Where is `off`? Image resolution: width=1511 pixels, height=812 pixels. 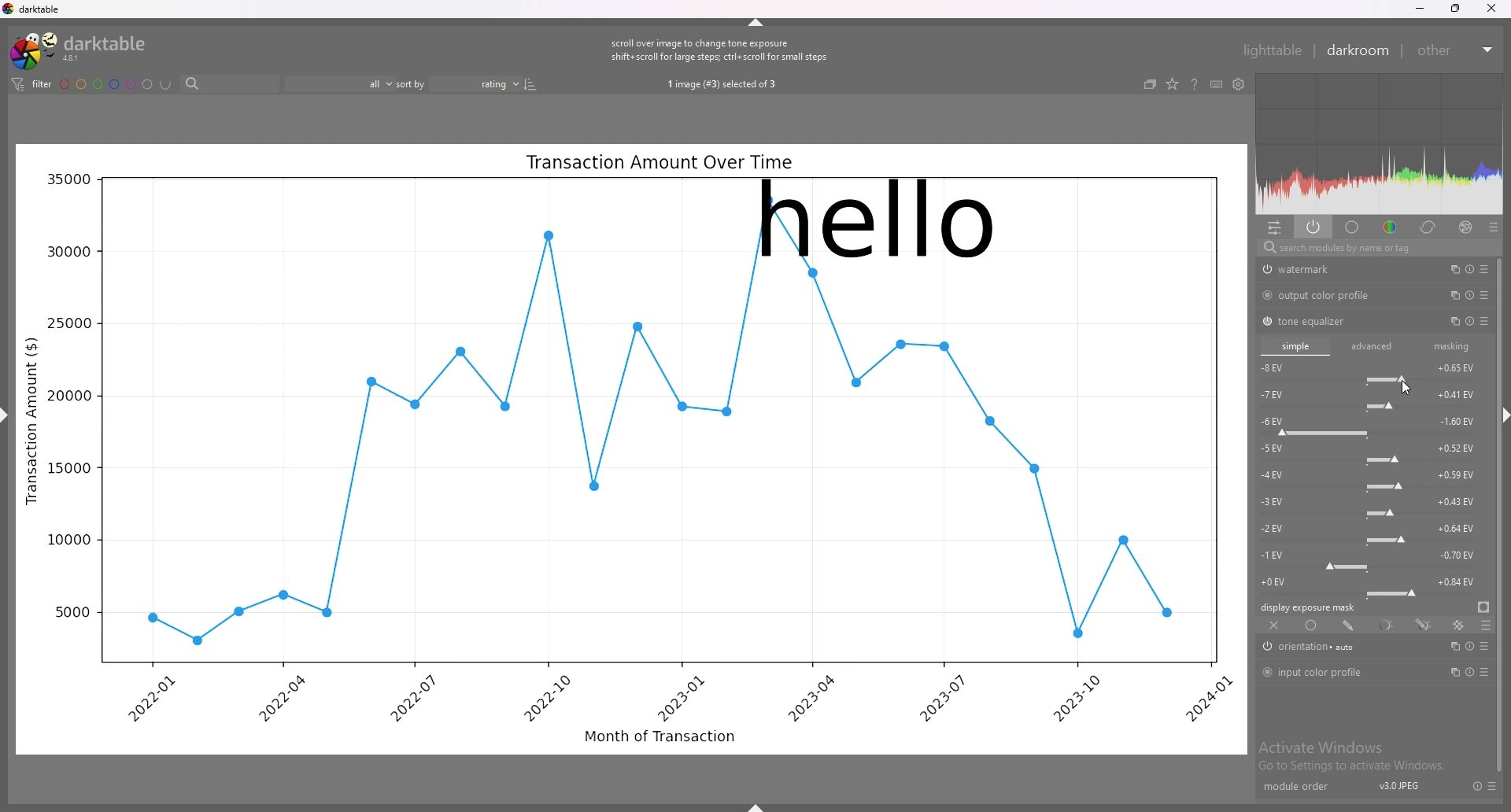
off is located at coordinates (1274, 626).